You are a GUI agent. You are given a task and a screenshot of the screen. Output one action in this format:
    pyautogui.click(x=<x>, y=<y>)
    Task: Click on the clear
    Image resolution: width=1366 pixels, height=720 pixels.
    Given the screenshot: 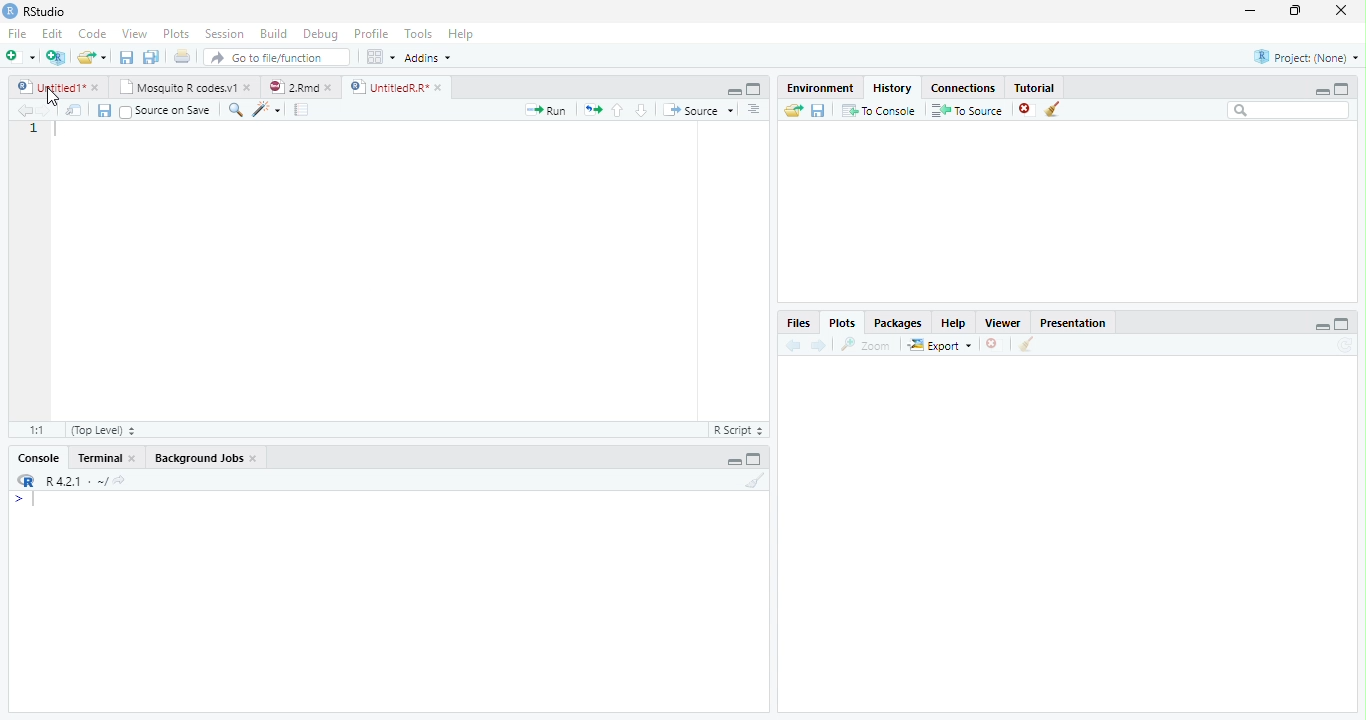 What is the action you would take?
    pyautogui.click(x=1053, y=110)
    